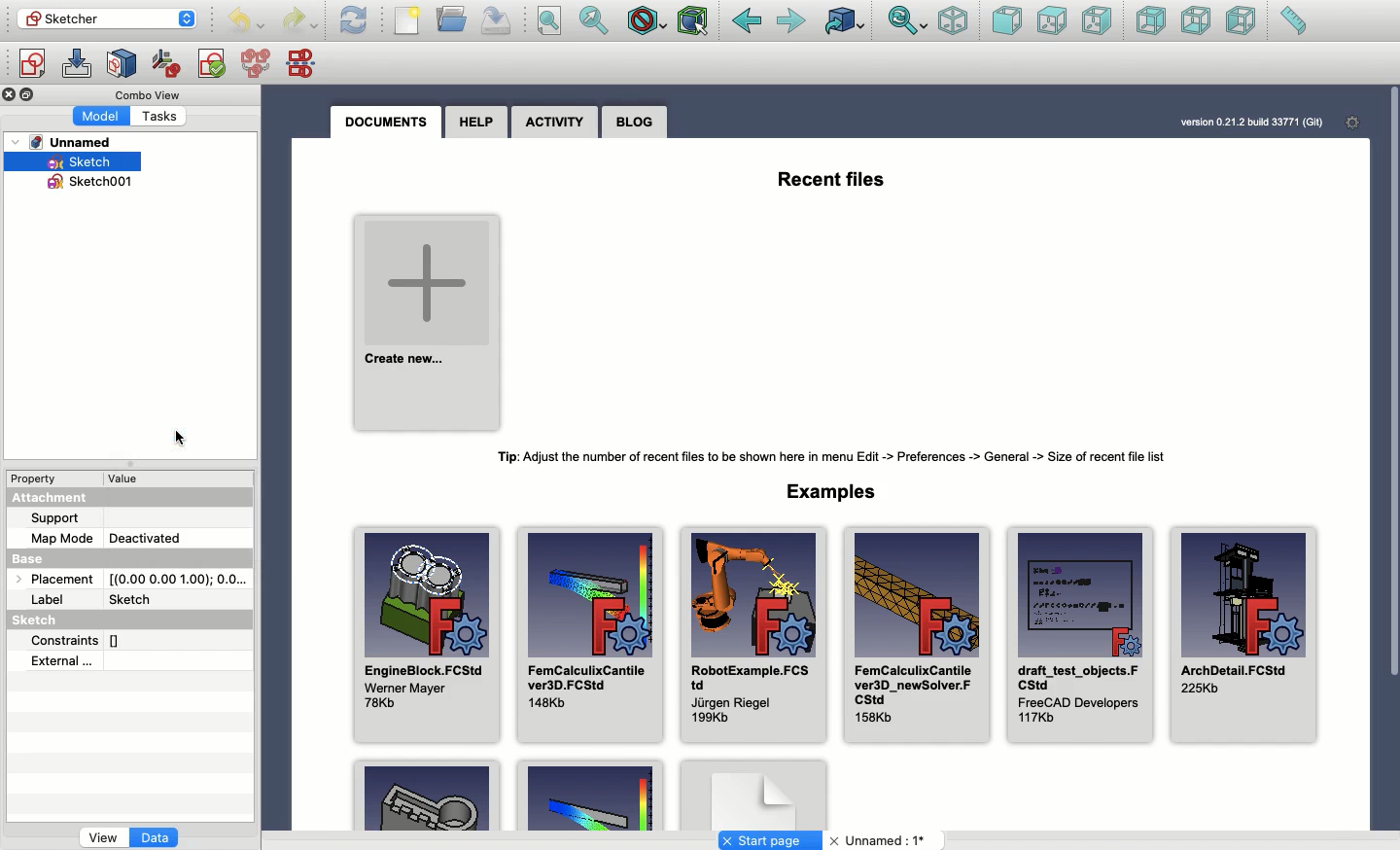 The image size is (1400, 850). What do you see at coordinates (64, 518) in the screenshot?
I see `Support` at bounding box center [64, 518].